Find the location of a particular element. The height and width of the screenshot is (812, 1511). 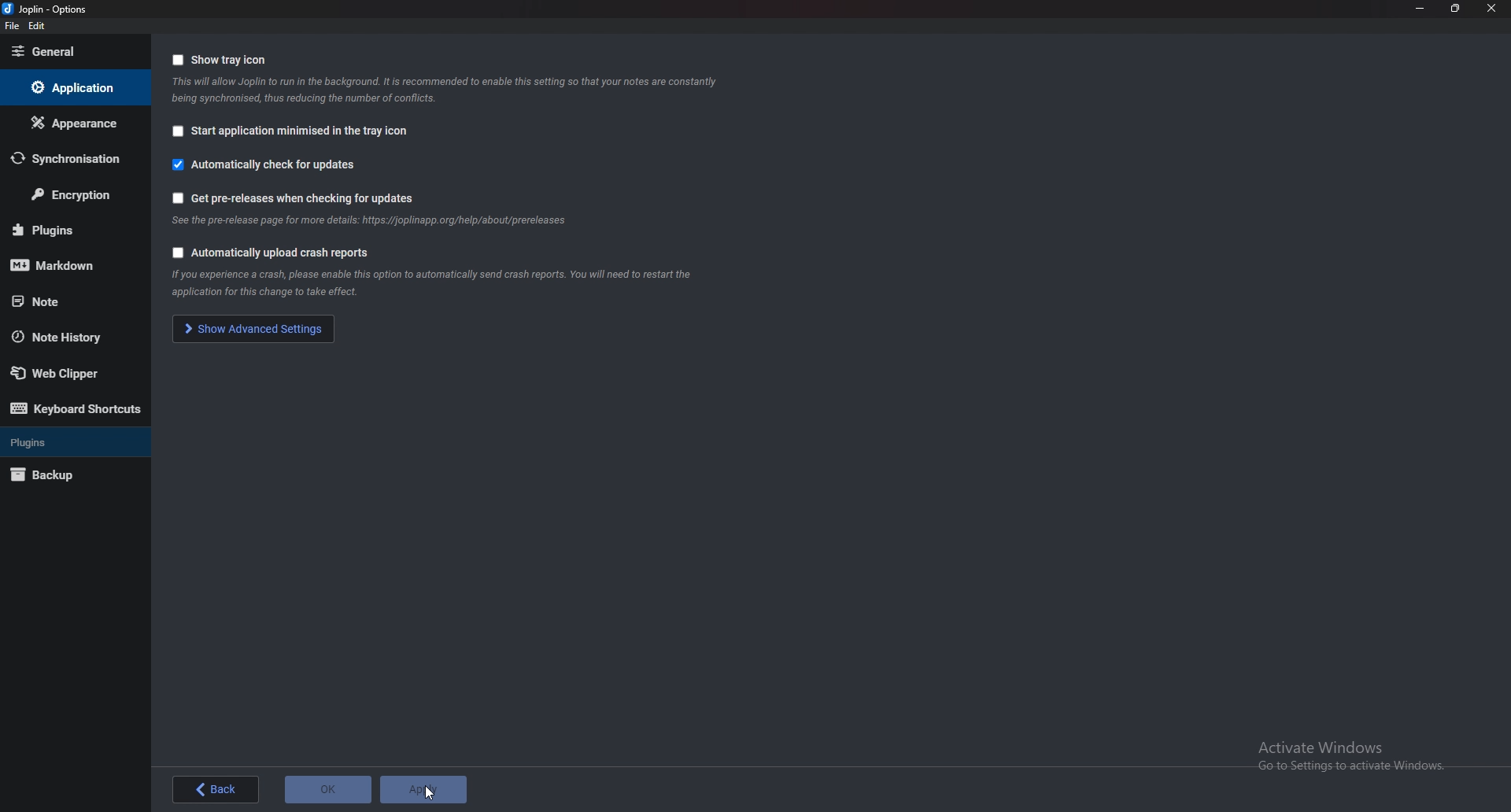

note is located at coordinates (64, 301).